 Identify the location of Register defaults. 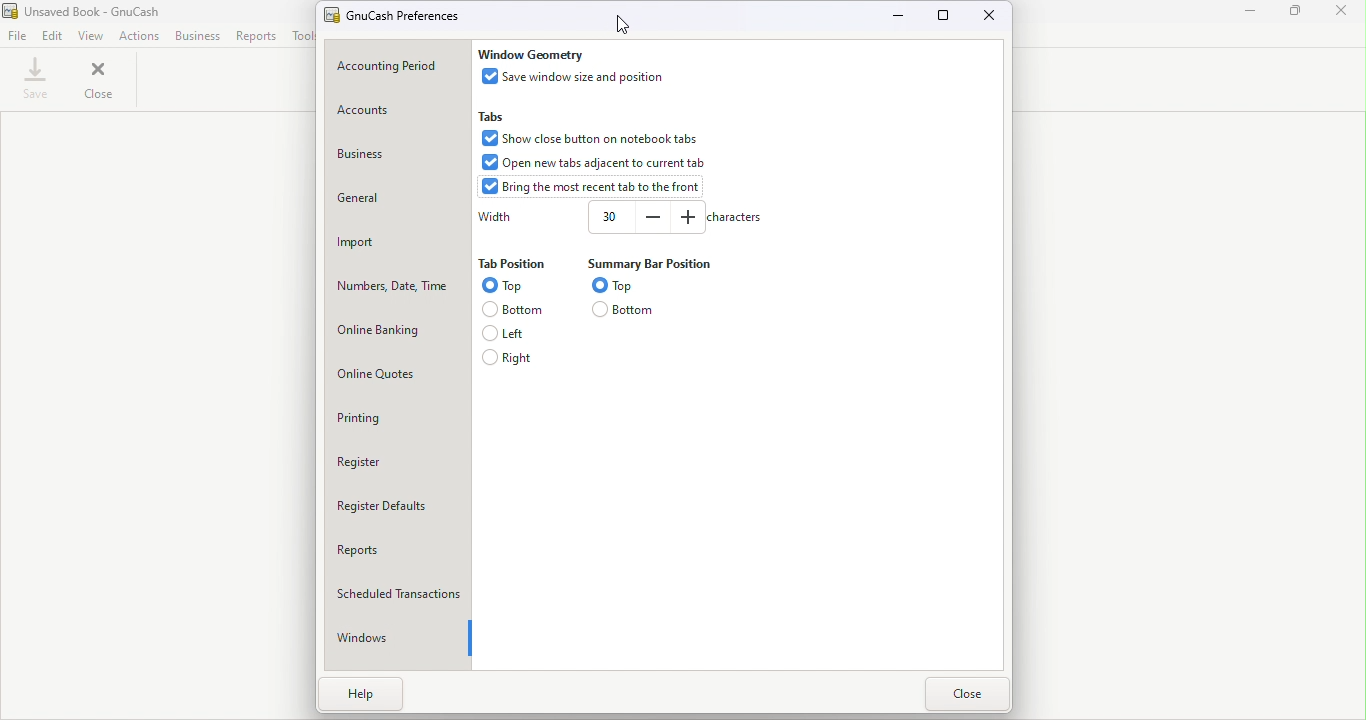
(400, 504).